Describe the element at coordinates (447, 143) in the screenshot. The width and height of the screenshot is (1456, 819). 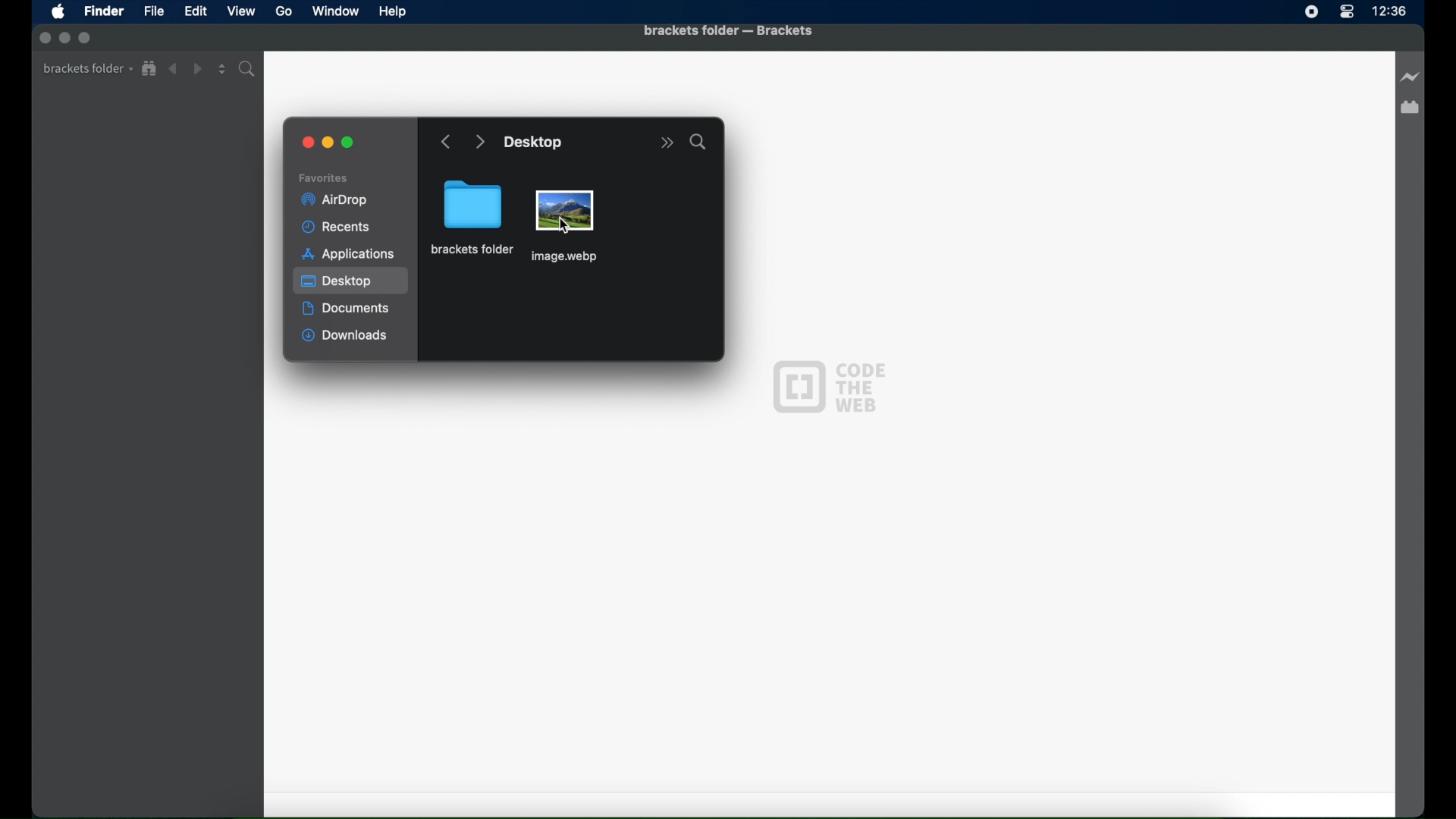
I see `go backward` at that location.